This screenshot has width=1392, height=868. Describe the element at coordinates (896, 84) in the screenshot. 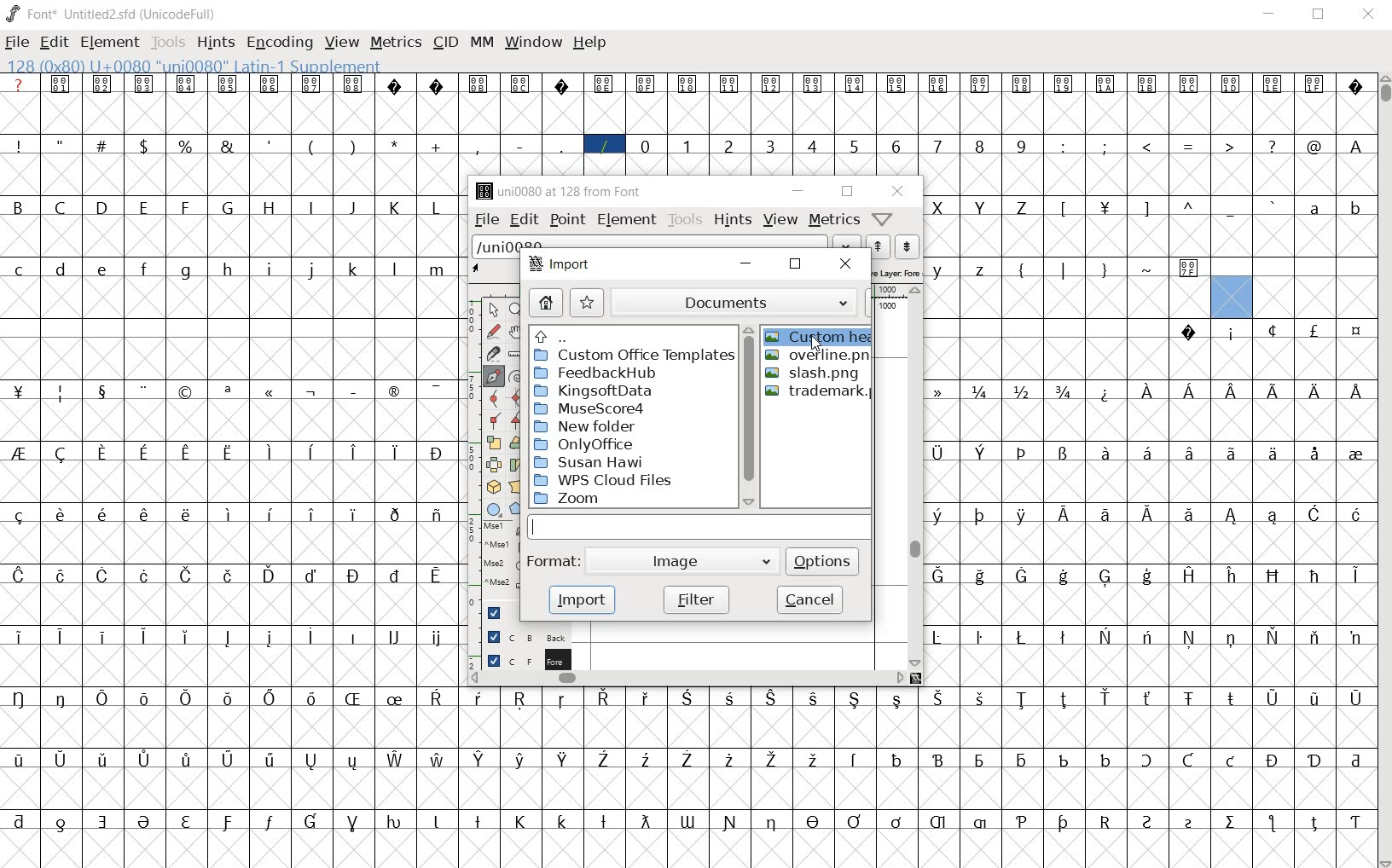

I see `glyph` at that location.